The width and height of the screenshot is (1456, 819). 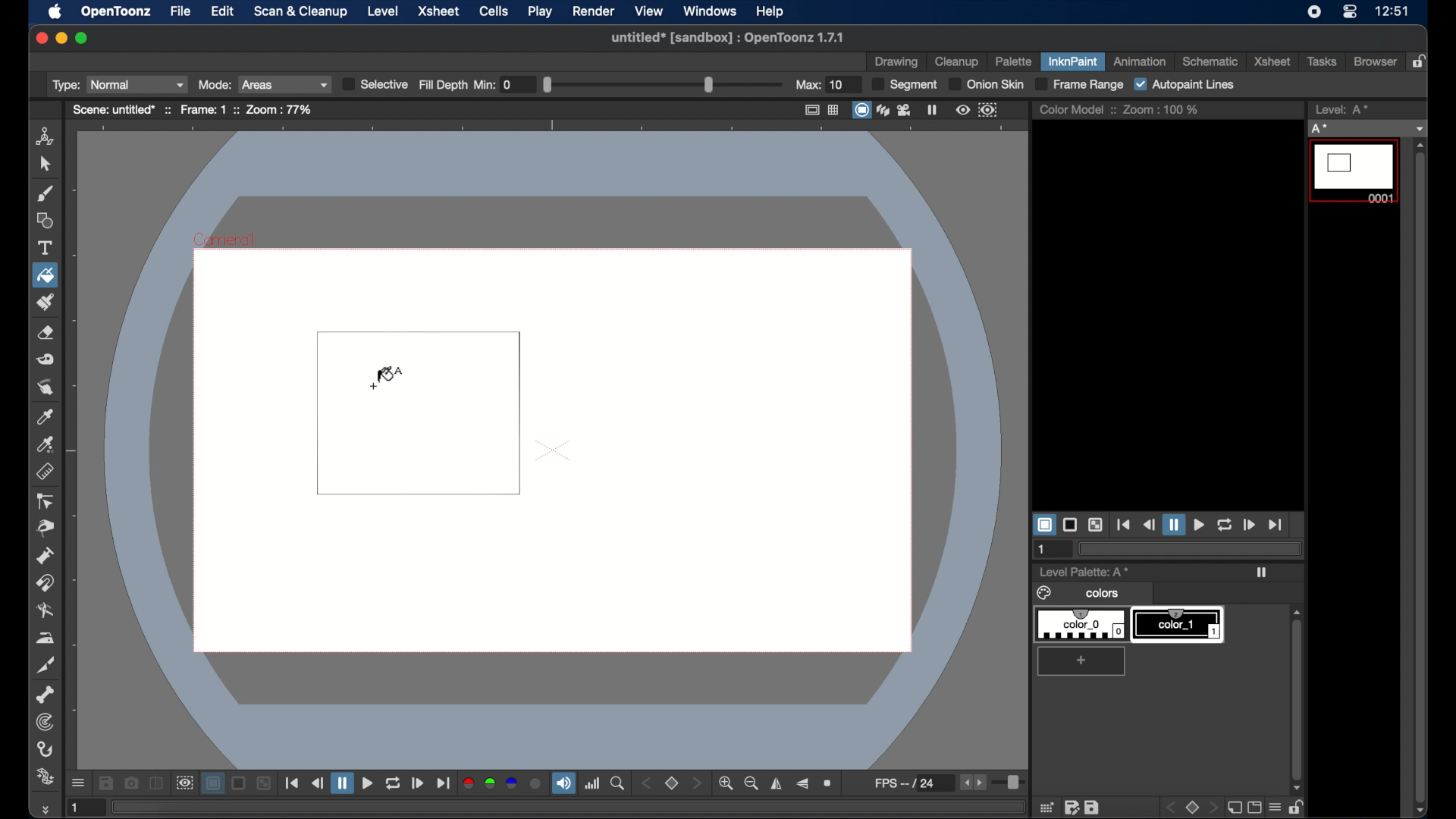 I want to click on color model, so click(x=1077, y=108).